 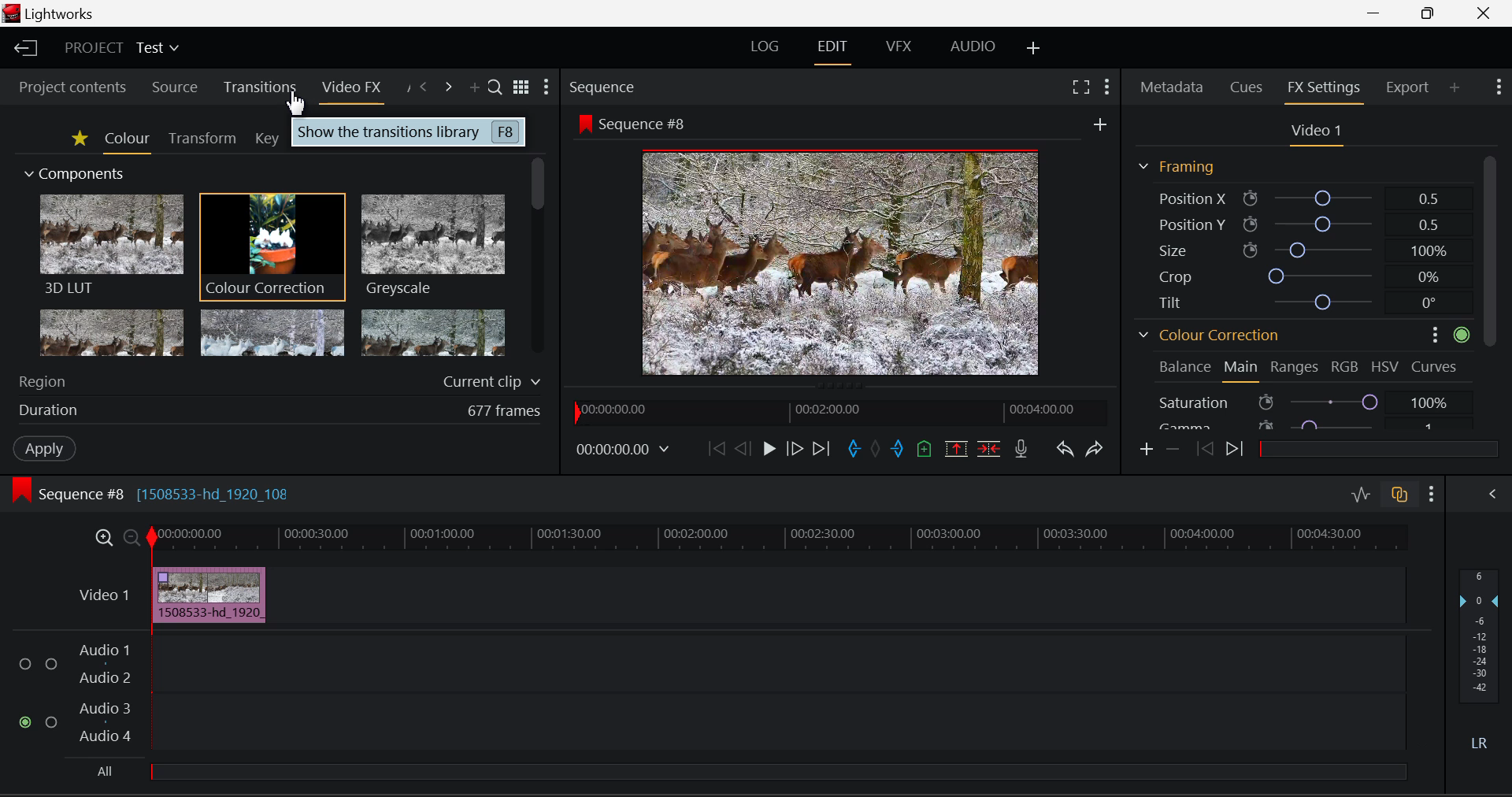 I want to click on Region, so click(x=280, y=381).